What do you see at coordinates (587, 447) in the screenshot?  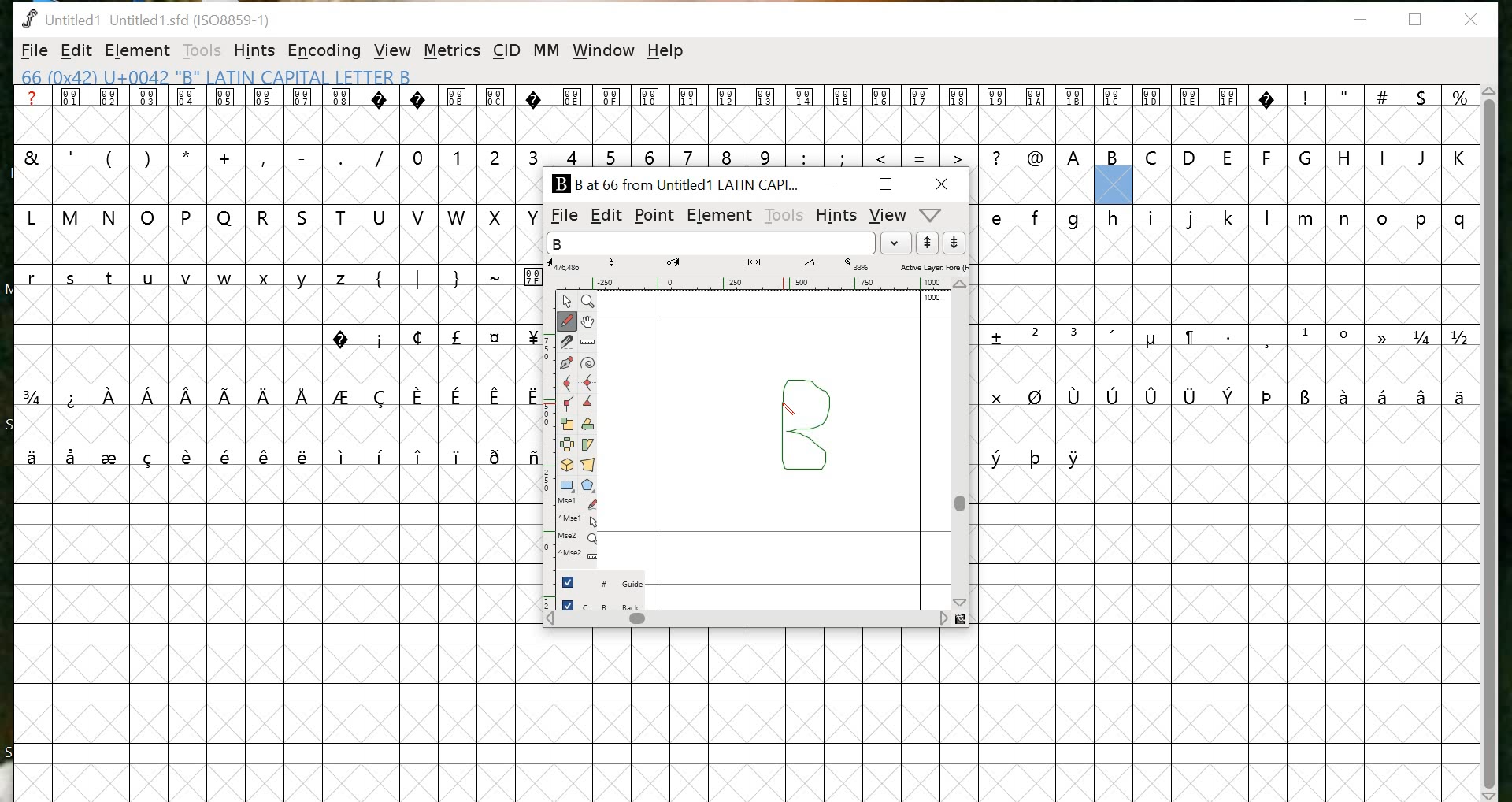 I see `Skew` at bounding box center [587, 447].